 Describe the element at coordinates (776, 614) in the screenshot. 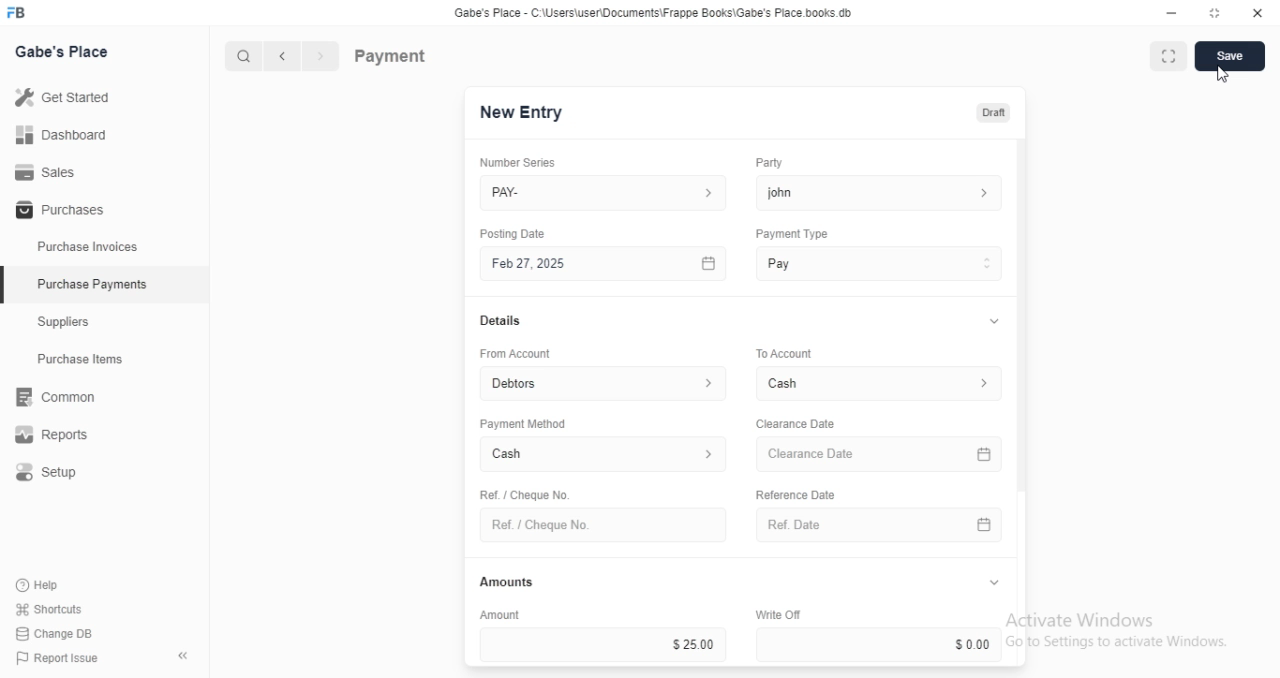

I see `Write Off` at that location.